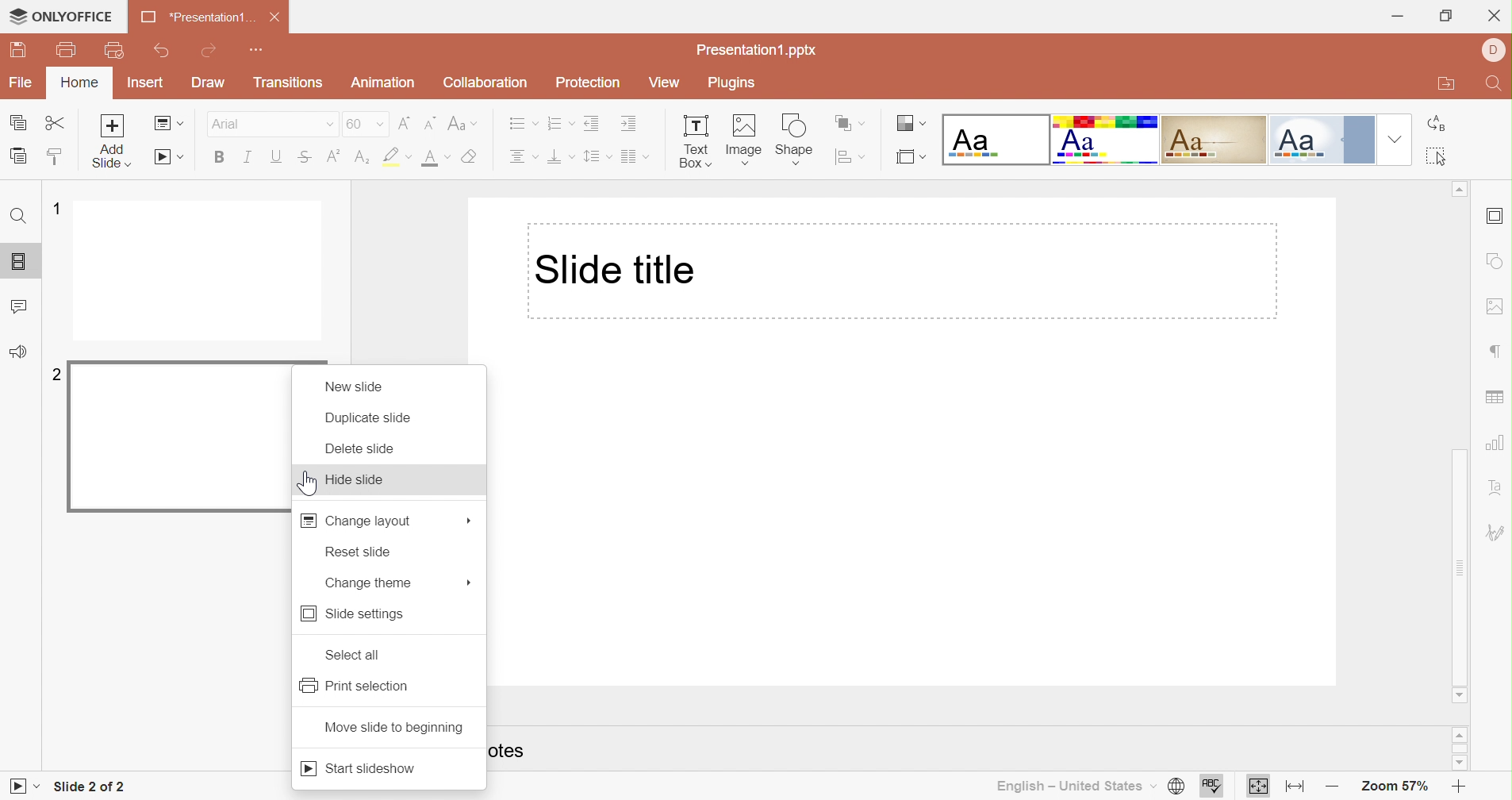 The image size is (1512, 800). What do you see at coordinates (616, 269) in the screenshot?
I see `Slide title` at bounding box center [616, 269].